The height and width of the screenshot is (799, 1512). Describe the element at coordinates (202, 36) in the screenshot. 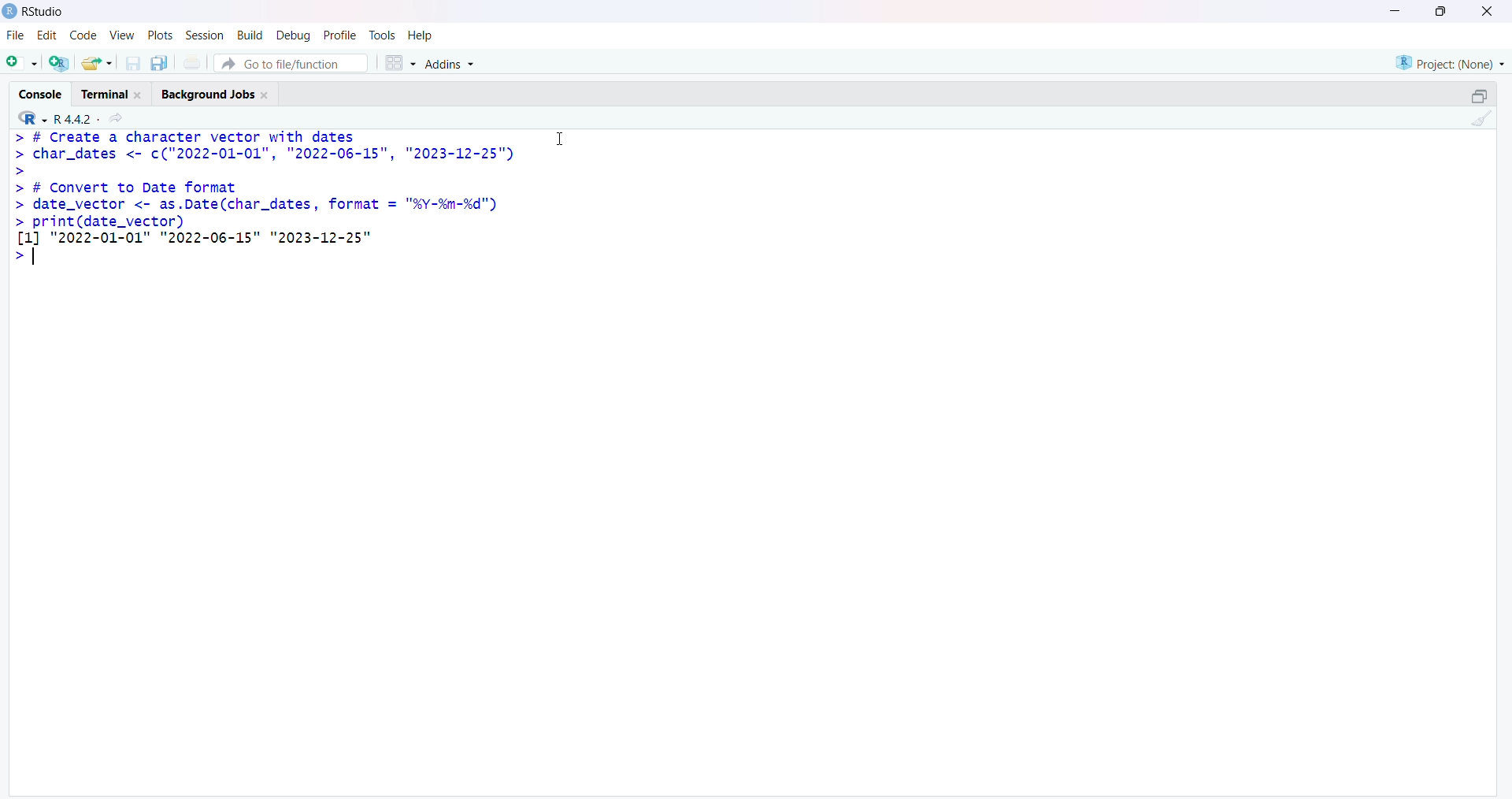

I see `Session` at that location.